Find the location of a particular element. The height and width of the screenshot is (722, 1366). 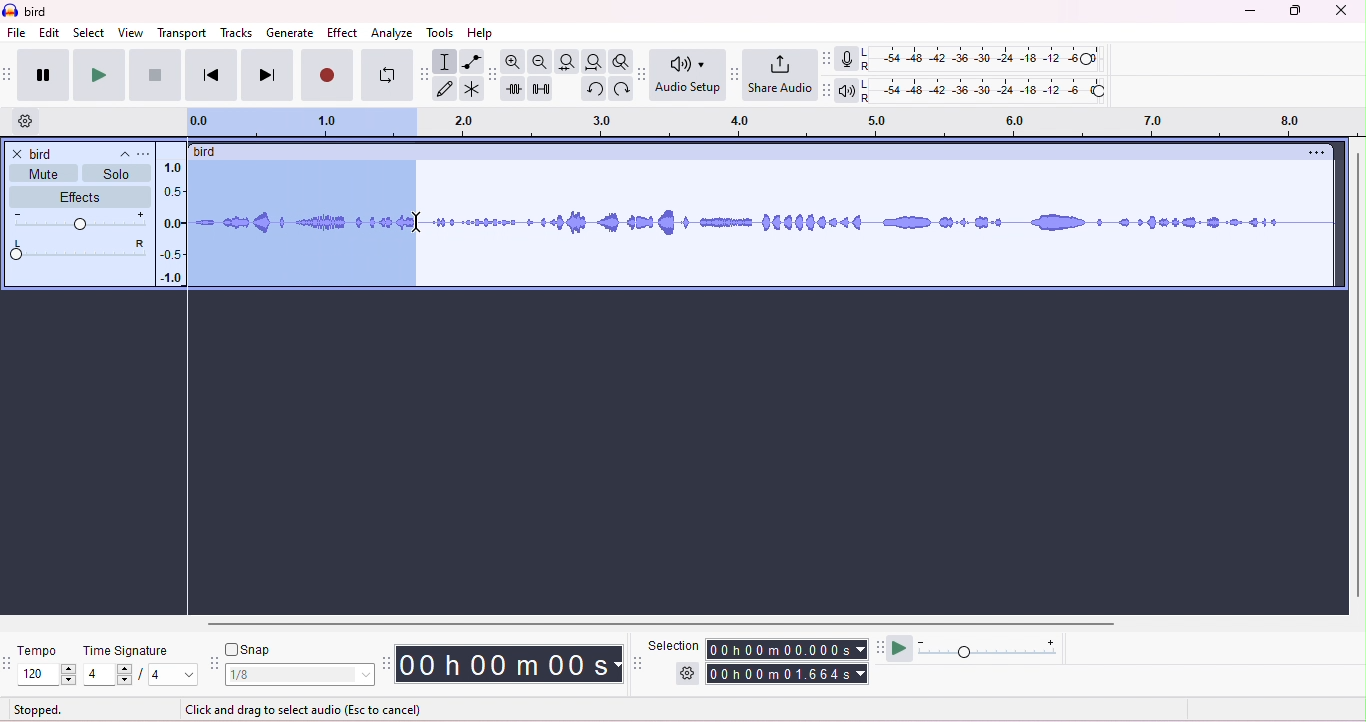

fit selection to width is located at coordinates (567, 62).